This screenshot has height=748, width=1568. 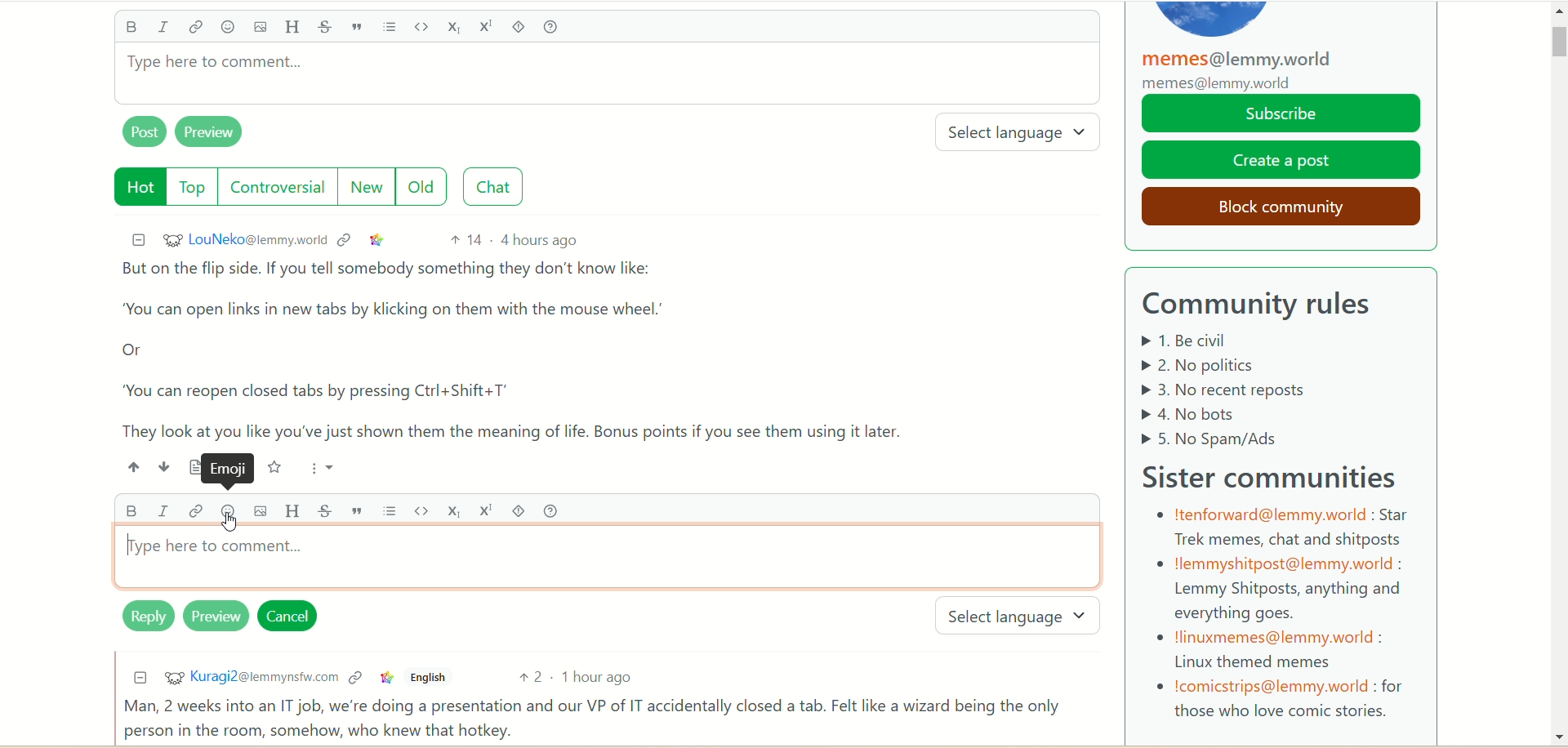 What do you see at coordinates (247, 676) in the screenshot?
I see `username` at bounding box center [247, 676].